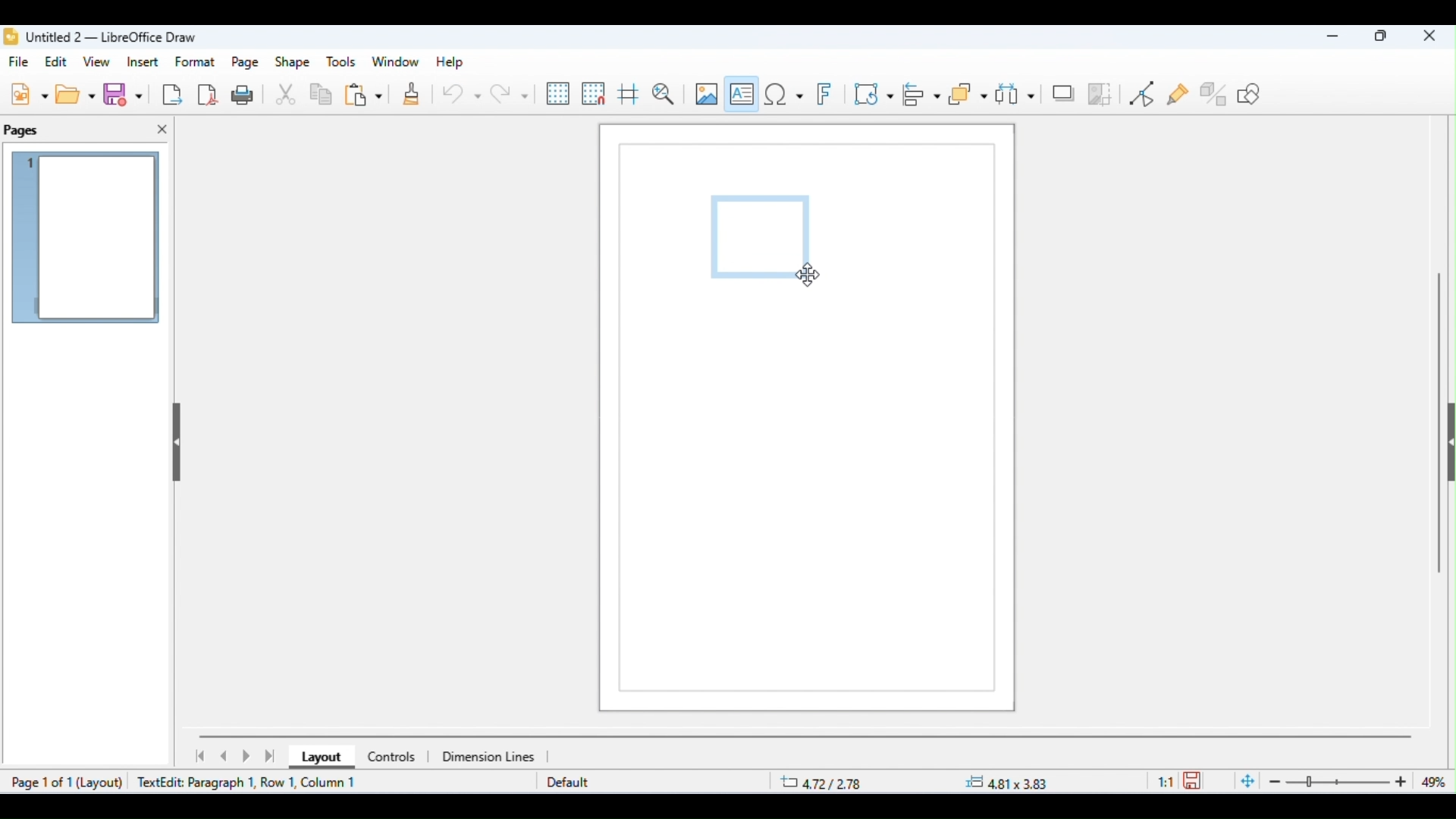 The height and width of the screenshot is (819, 1456). What do you see at coordinates (396, 62) in the screenshot?
I see `window` at bounding box center [396, 62].